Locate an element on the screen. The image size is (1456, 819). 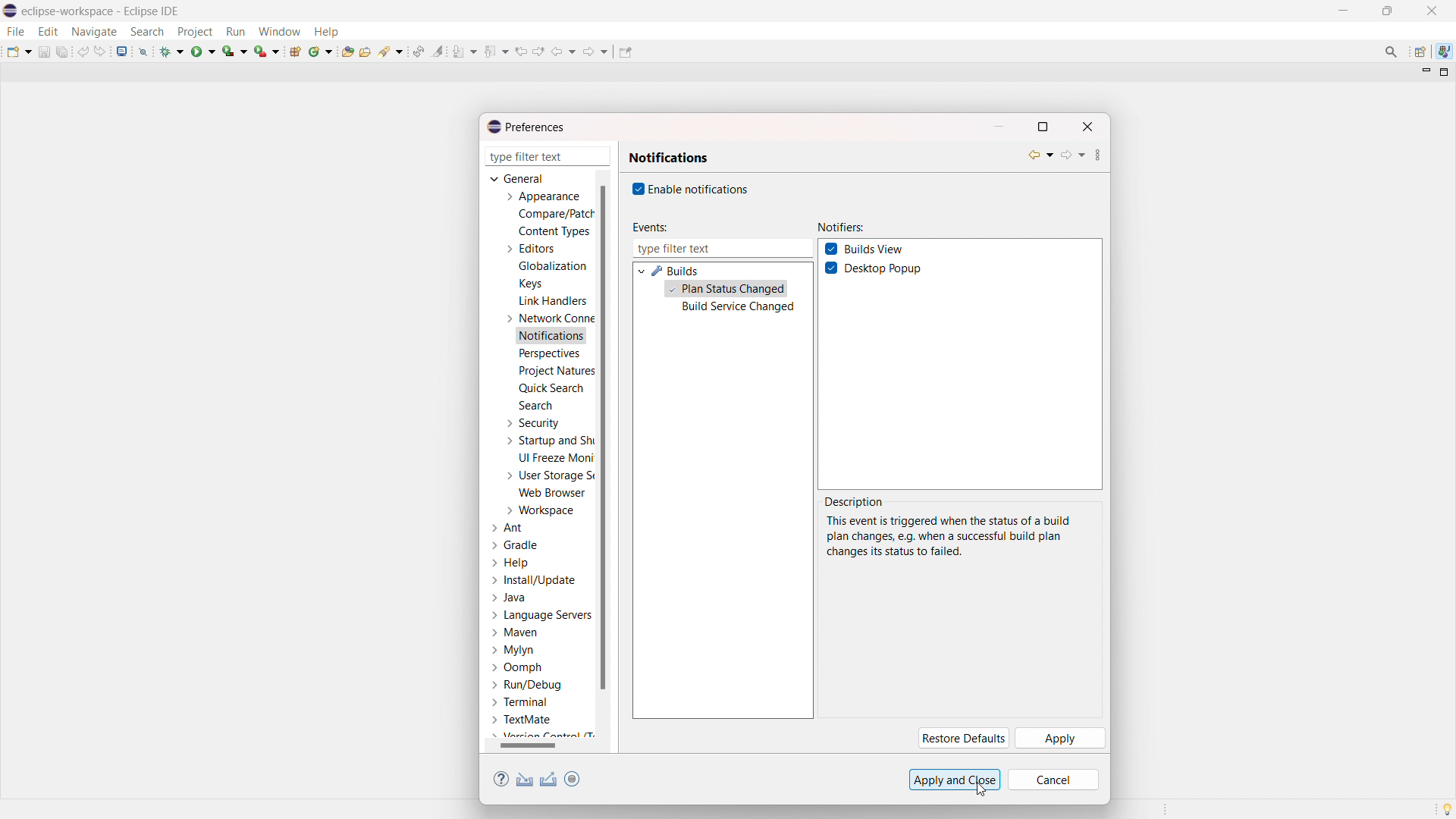
keys is located at coordinates (530, 283).